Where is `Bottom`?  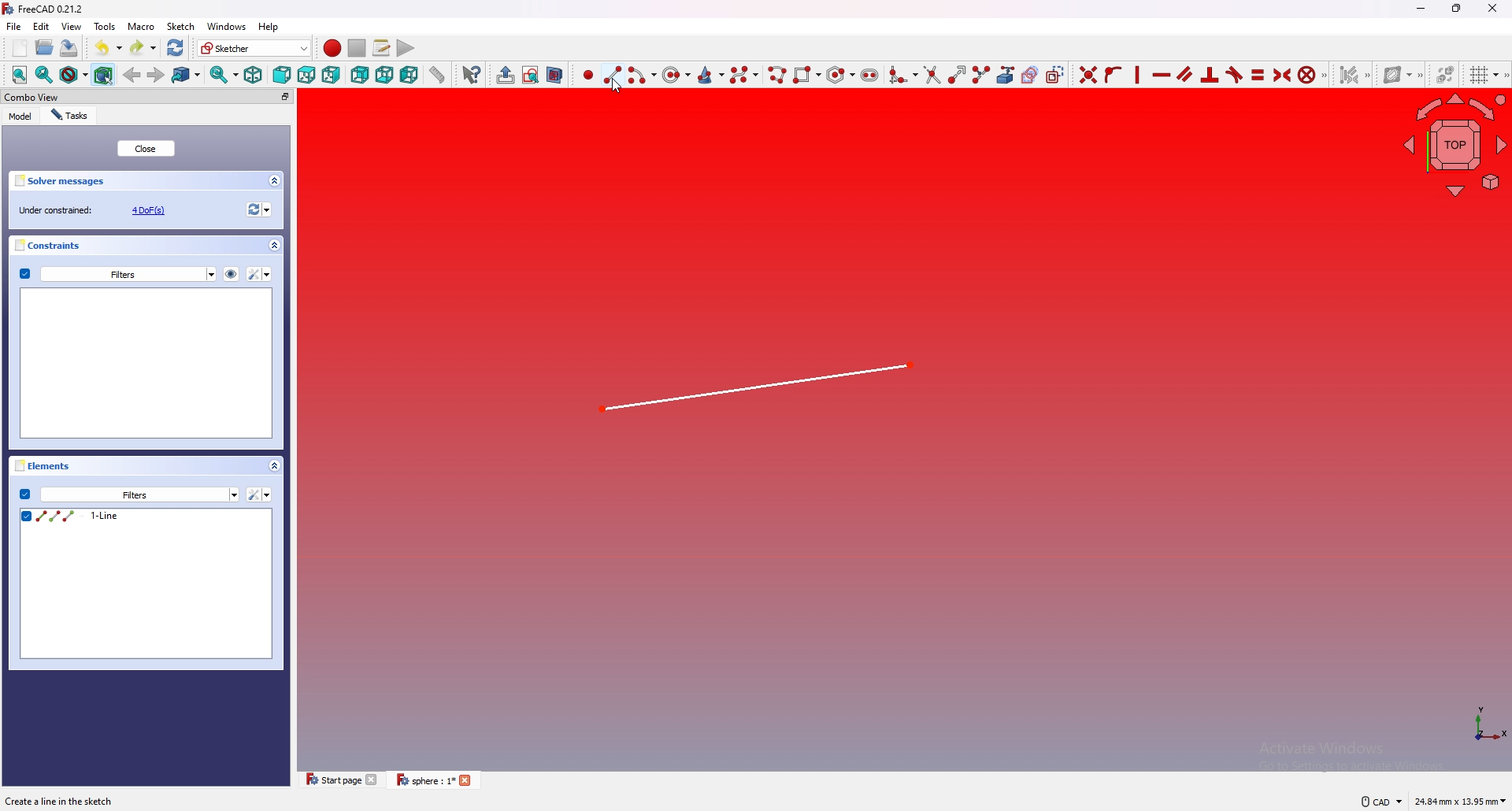
Bottom is located at coordinates (384, 74).